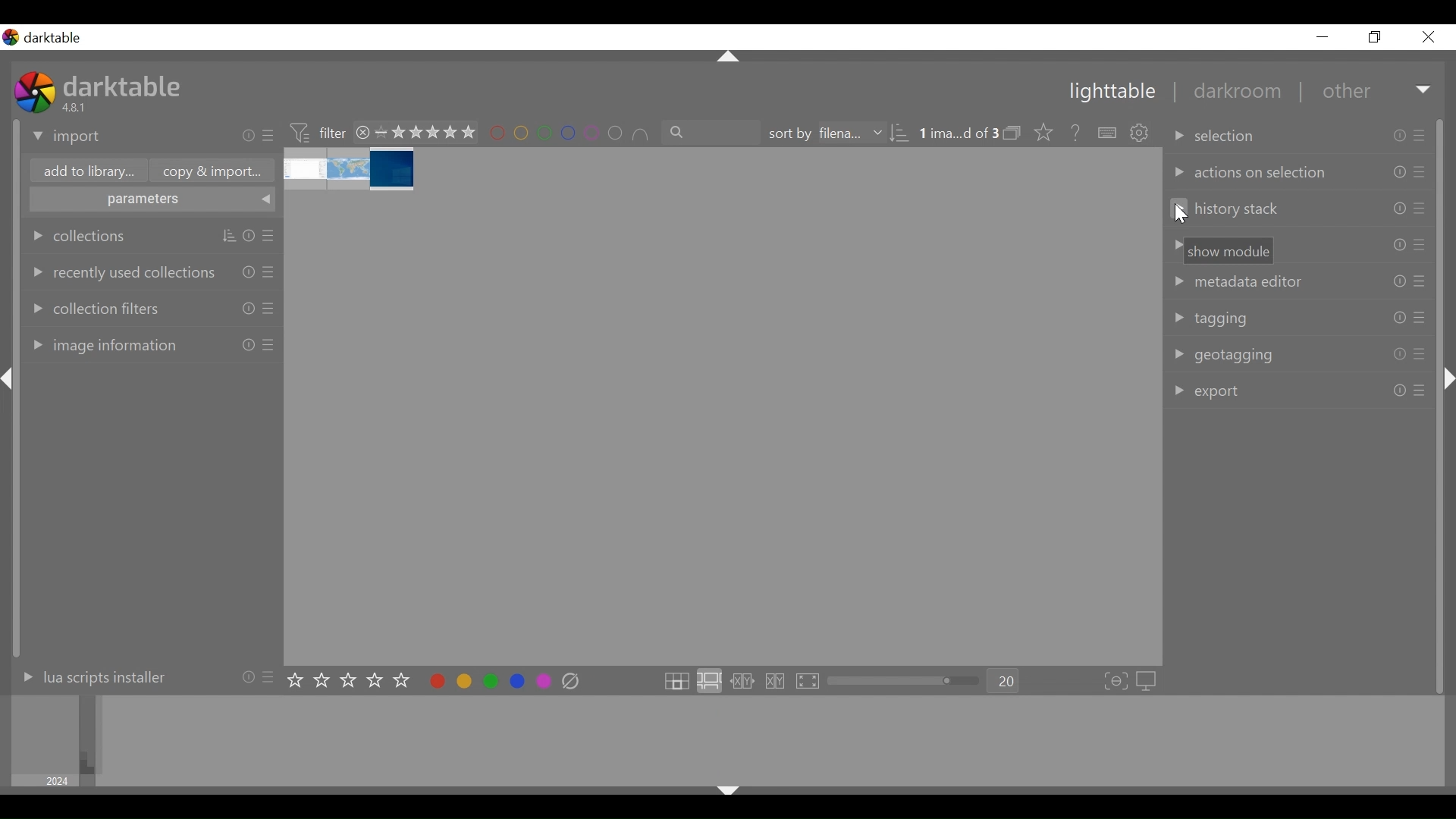  I want to click on Collapse , so click(11, 379).